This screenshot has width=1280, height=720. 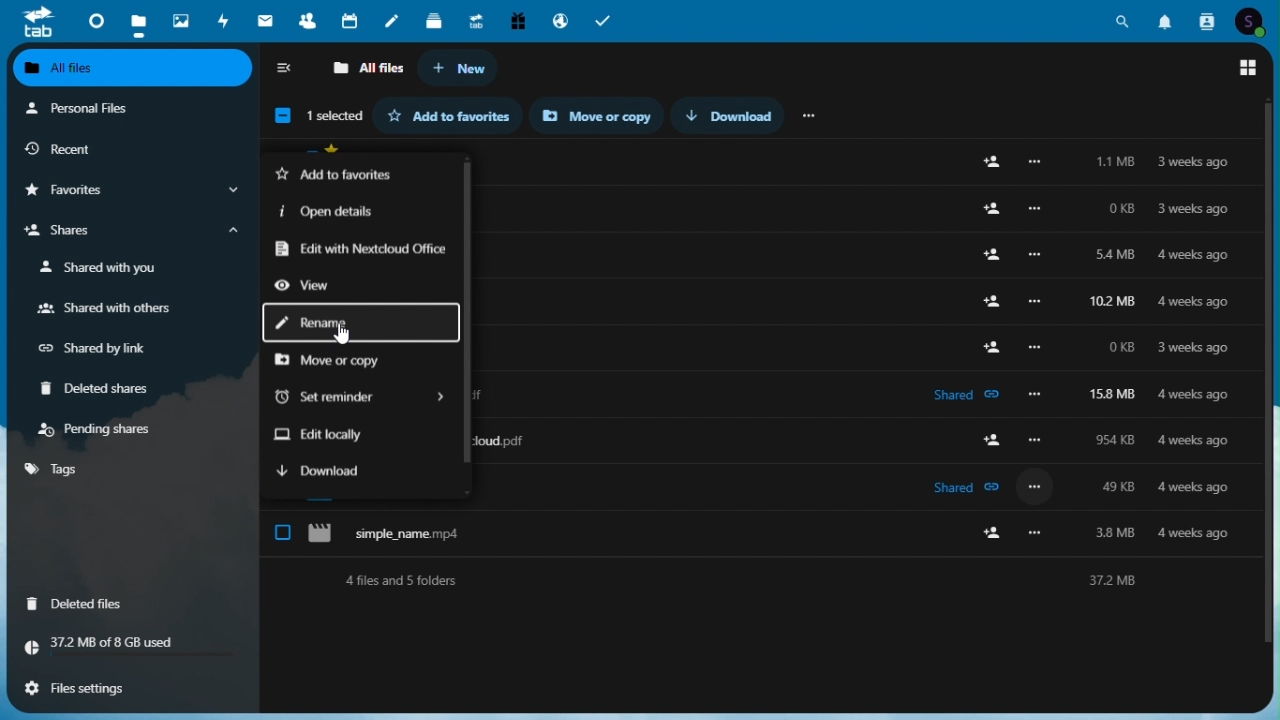 I want to click on shared with others, so click(x=103, y=310).